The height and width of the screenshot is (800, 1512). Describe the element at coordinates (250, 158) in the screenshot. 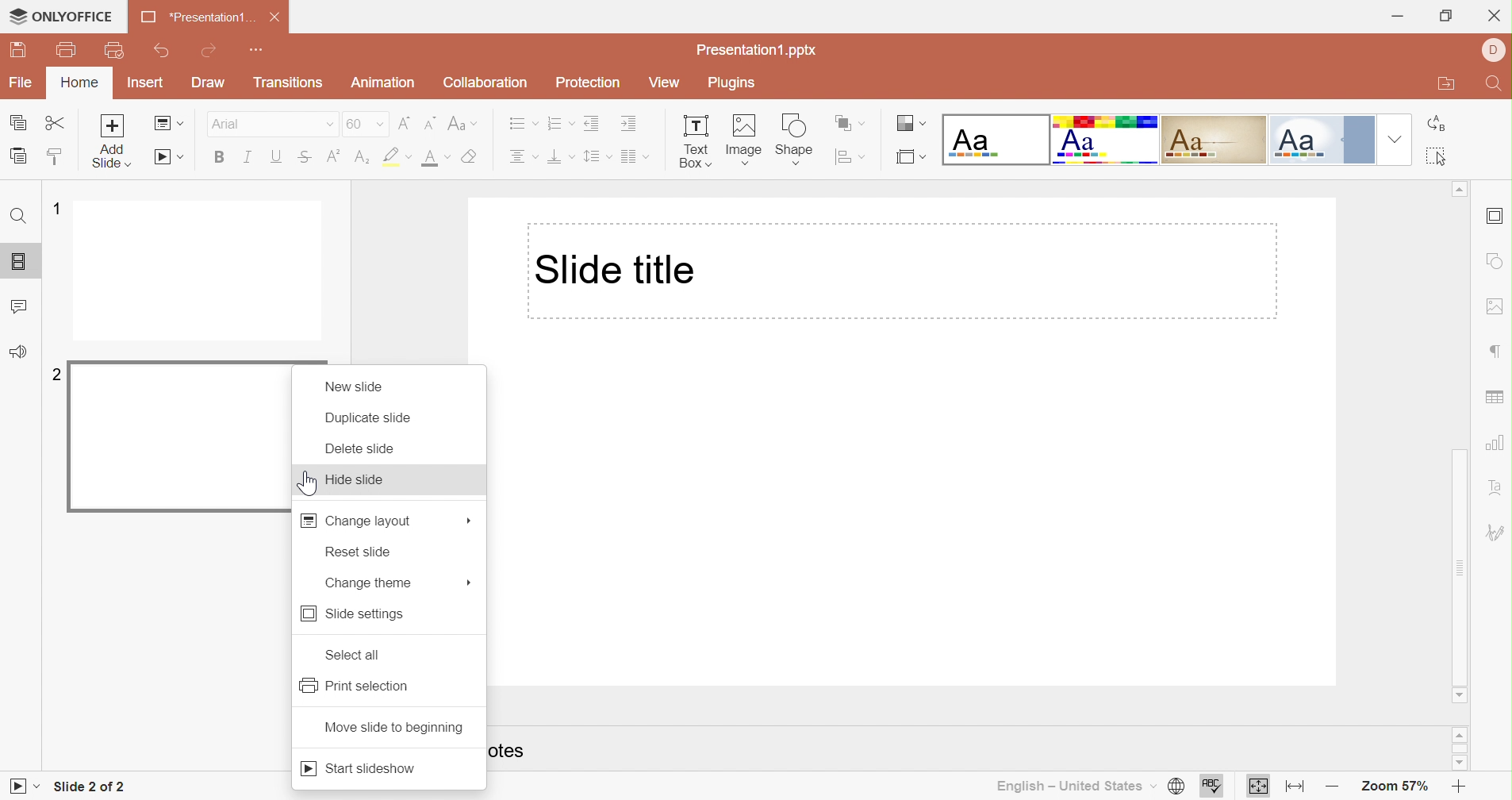

I see `Italic` at that location.